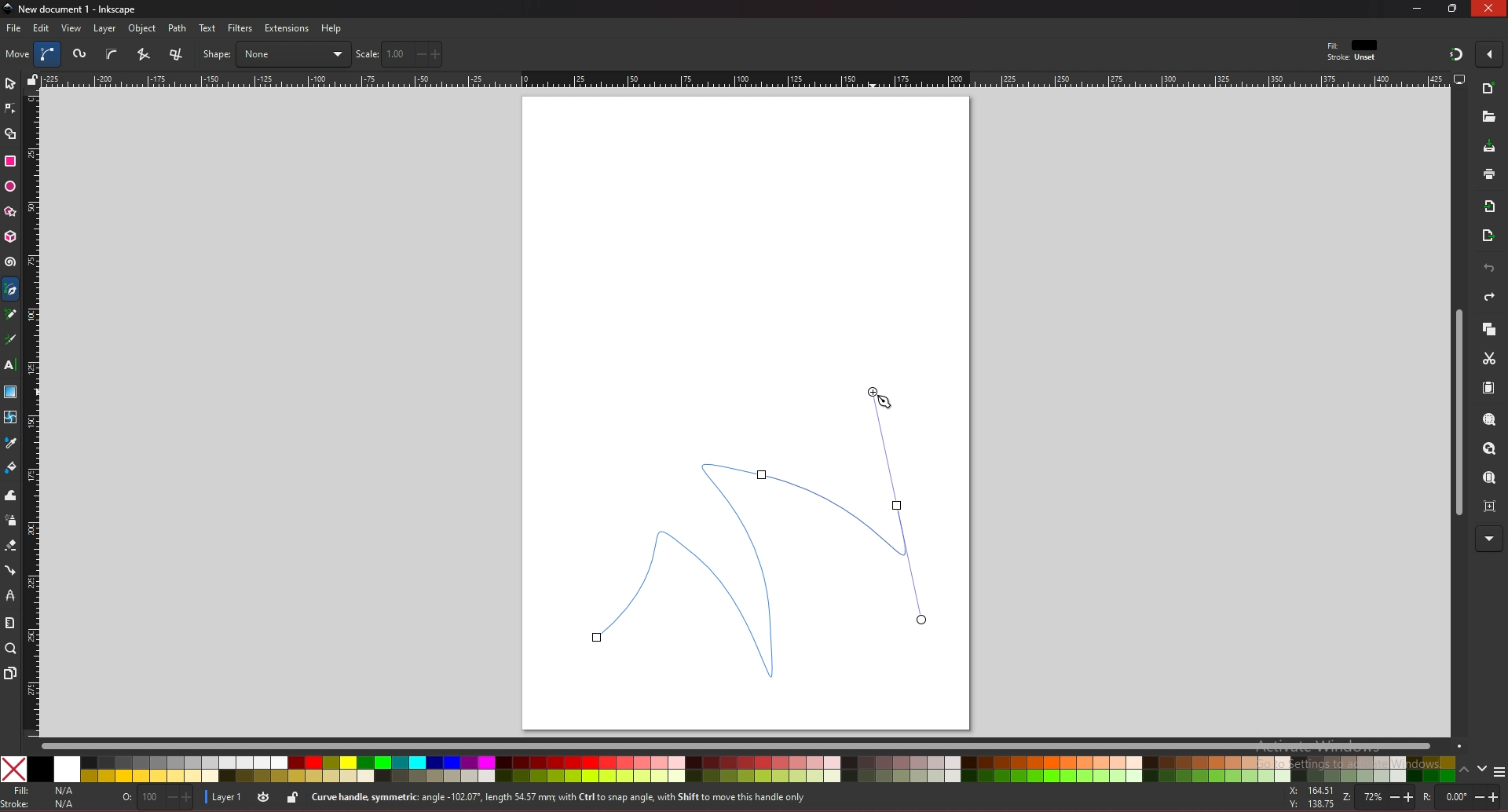 The image size is (1508, 812). I want to click on rotate, so click(1460, 798).